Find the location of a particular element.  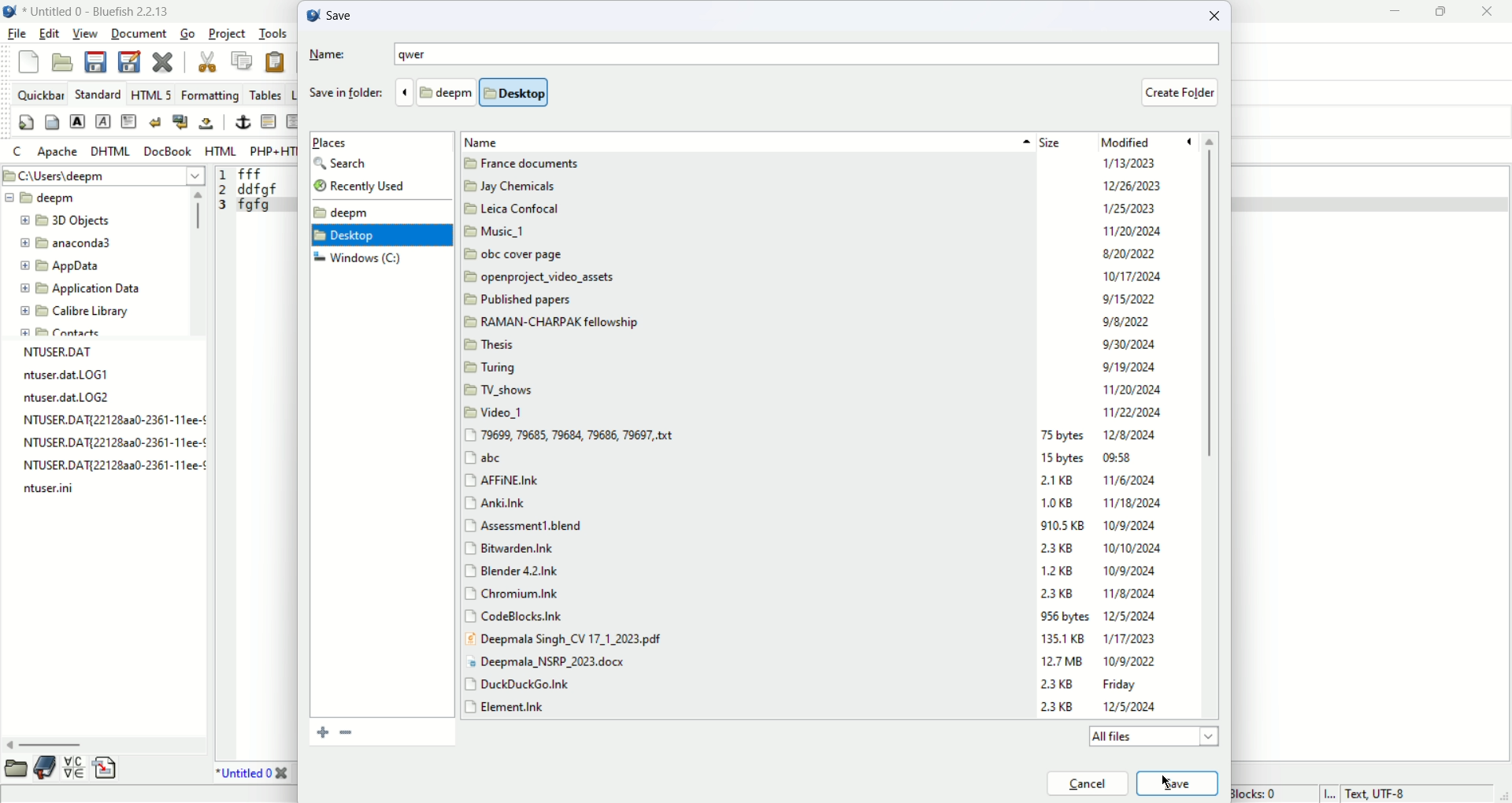

break is located at coordinates (157, 123).